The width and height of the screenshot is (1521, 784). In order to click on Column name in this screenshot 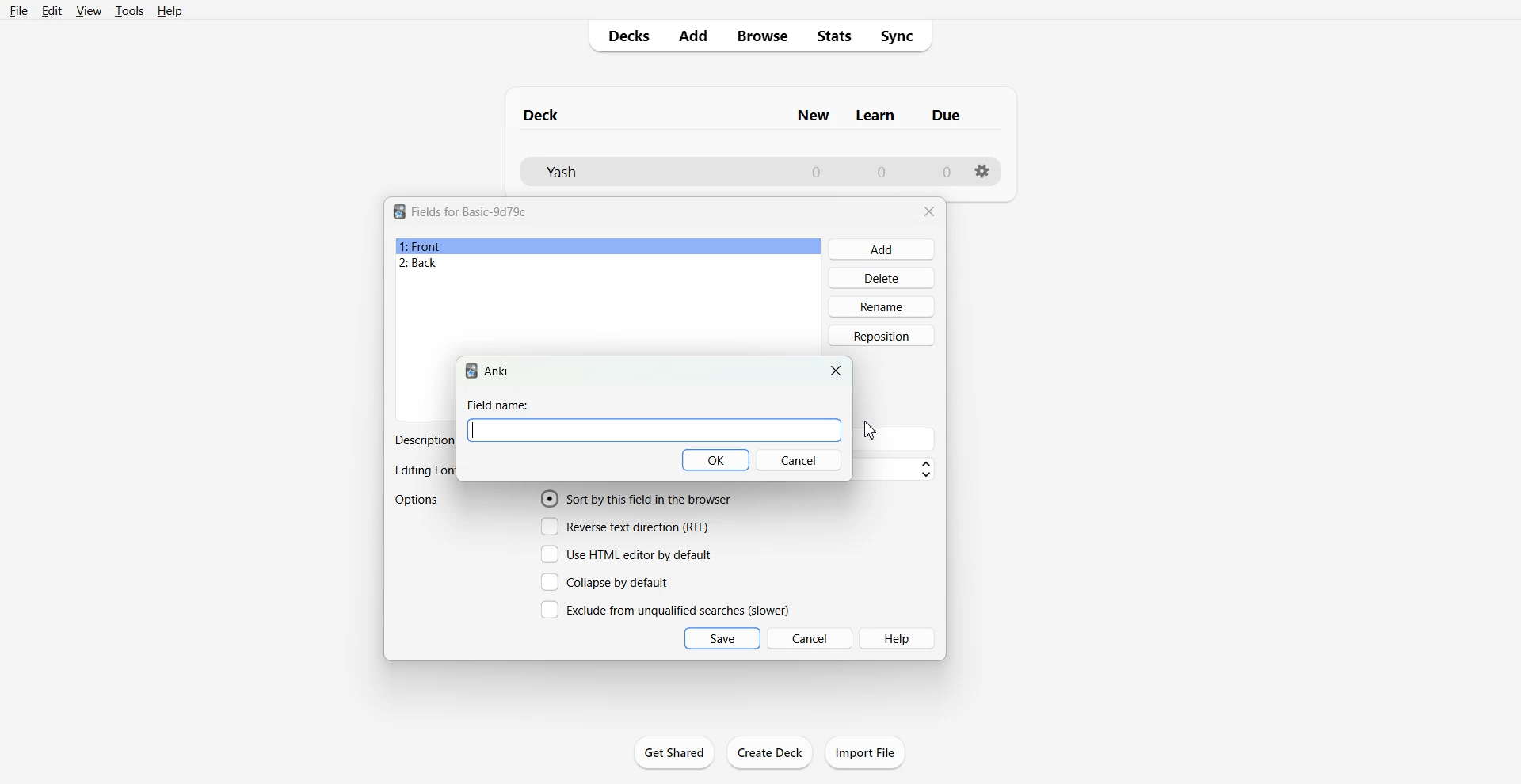, I will do `click(946, 115)`.